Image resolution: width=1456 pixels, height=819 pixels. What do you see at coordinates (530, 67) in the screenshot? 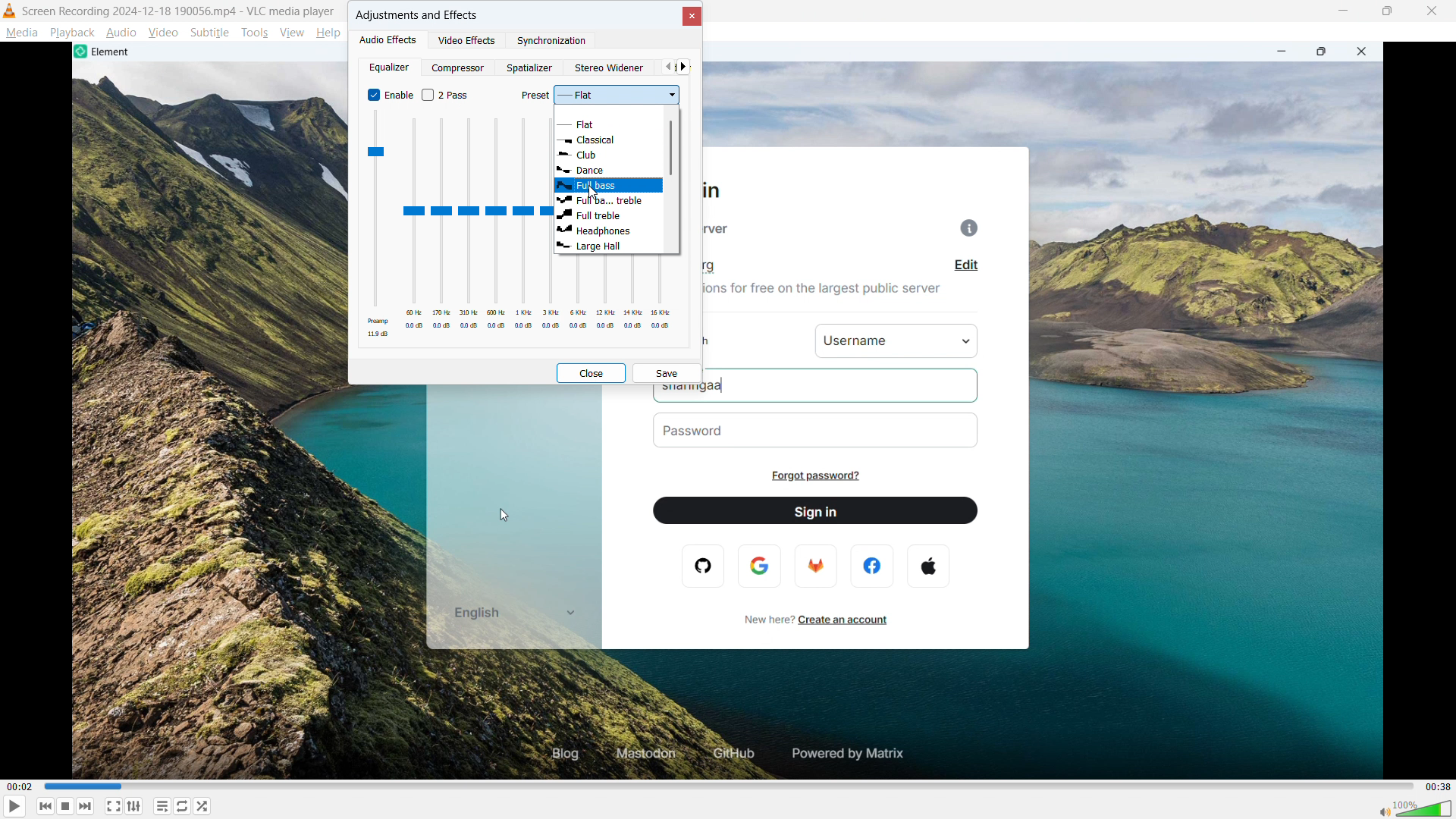
I see `Spatializer ` at bounding box center [530, 67].